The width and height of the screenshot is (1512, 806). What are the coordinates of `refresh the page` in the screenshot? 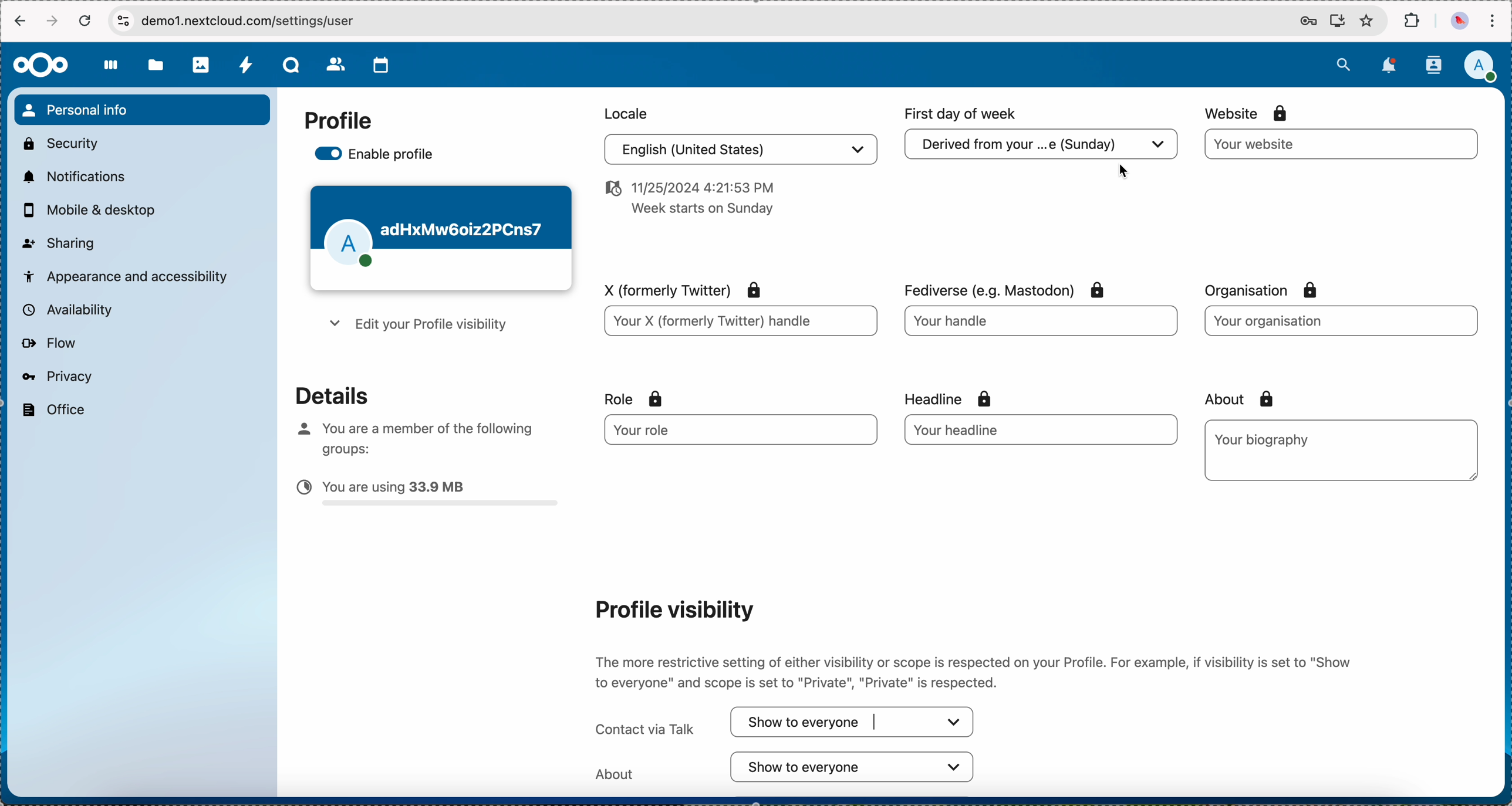 It's located at (86, 21).